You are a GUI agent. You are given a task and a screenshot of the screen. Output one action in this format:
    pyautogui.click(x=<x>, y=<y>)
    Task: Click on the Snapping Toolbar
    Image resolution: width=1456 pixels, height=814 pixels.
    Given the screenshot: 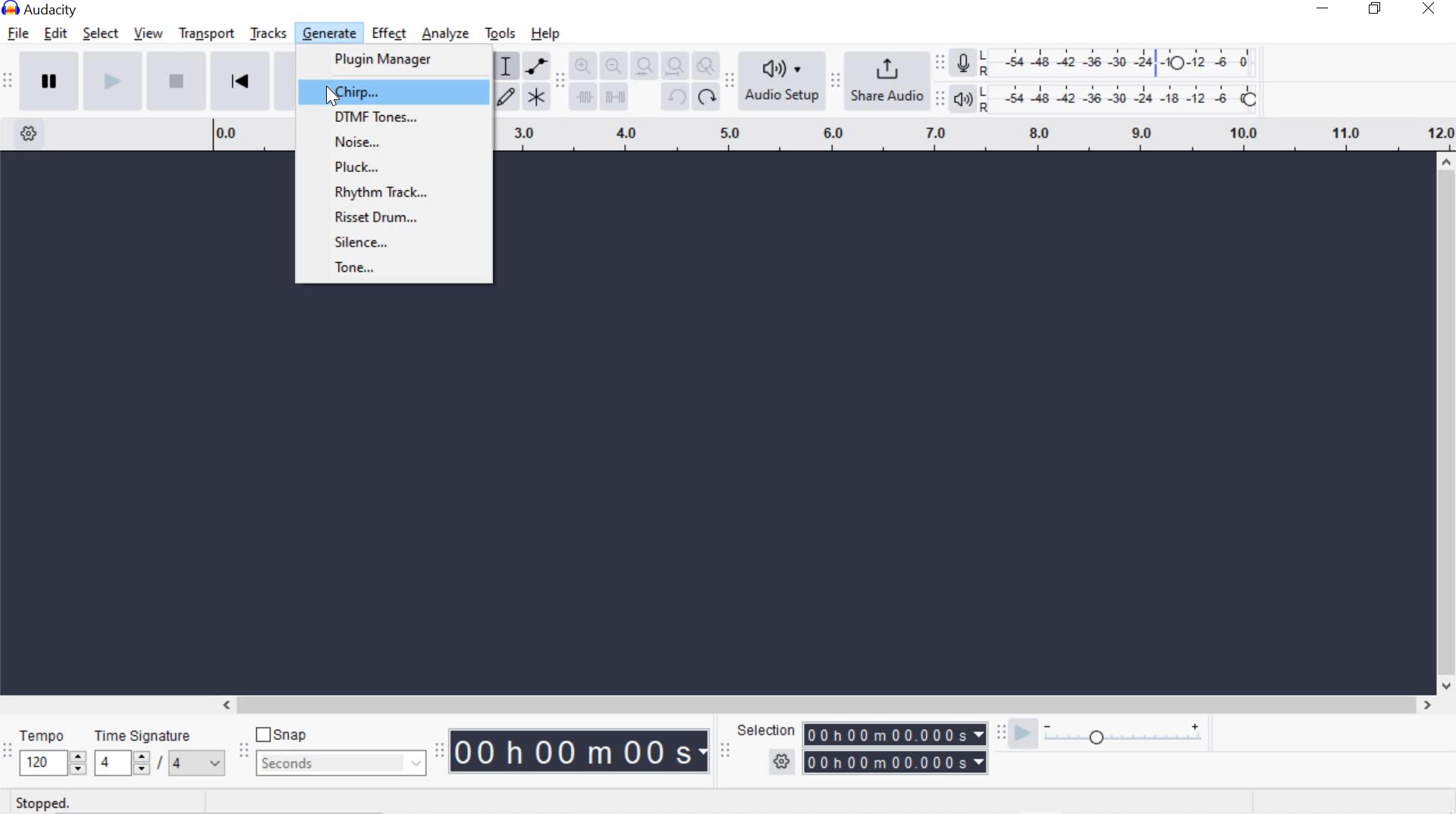 What is the action you would take?
    pyautogui.click(x=245, y=752)
    